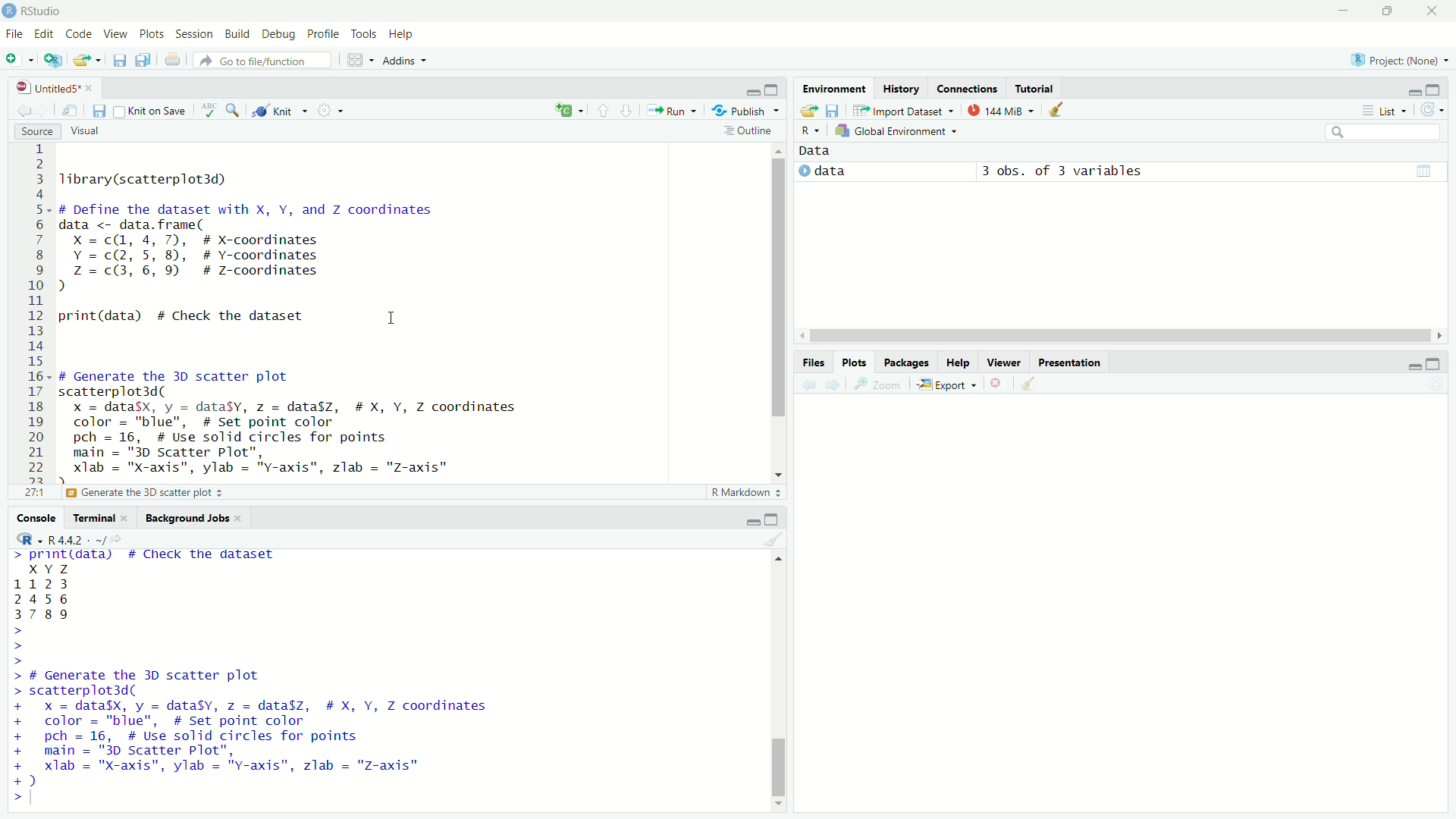 Image resolution: width=1456 pixels, height=819 pixels. Describe the element at coordinates (237, 34) in the screenshot. I see `Build` at that location.